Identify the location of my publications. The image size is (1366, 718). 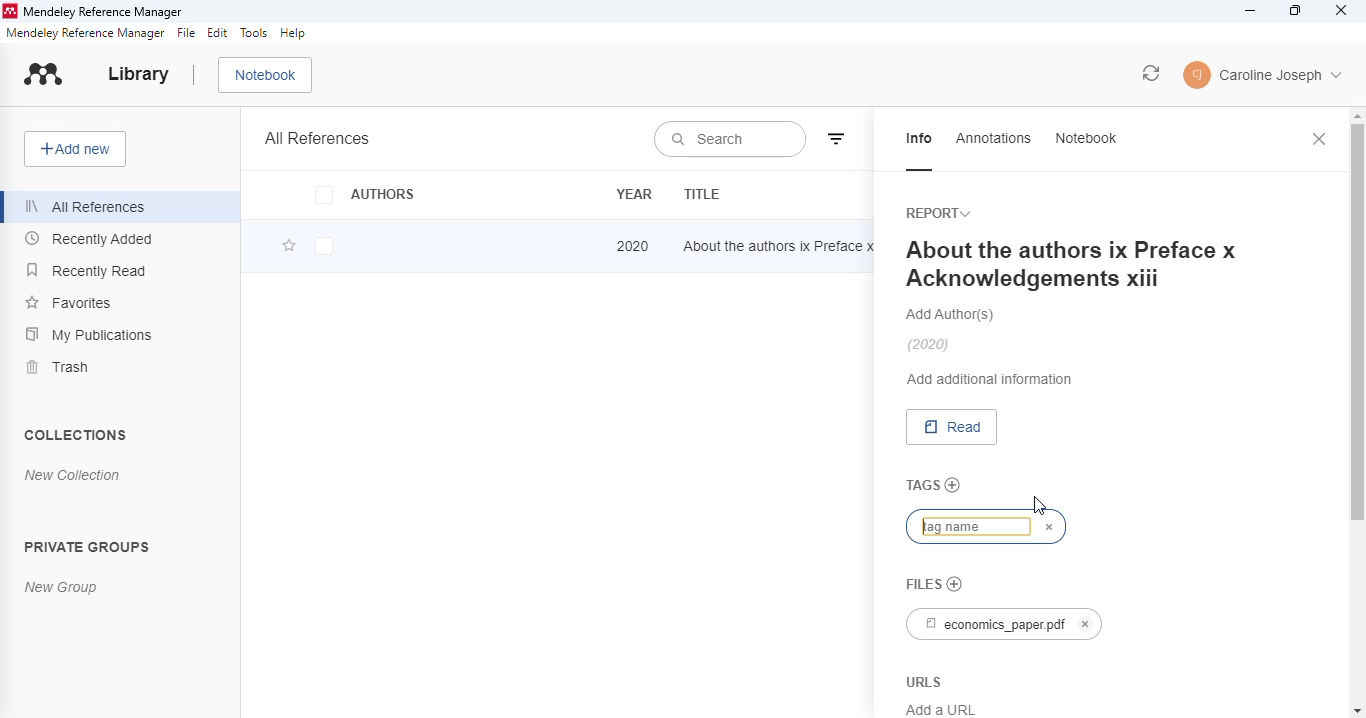
(88, 333).